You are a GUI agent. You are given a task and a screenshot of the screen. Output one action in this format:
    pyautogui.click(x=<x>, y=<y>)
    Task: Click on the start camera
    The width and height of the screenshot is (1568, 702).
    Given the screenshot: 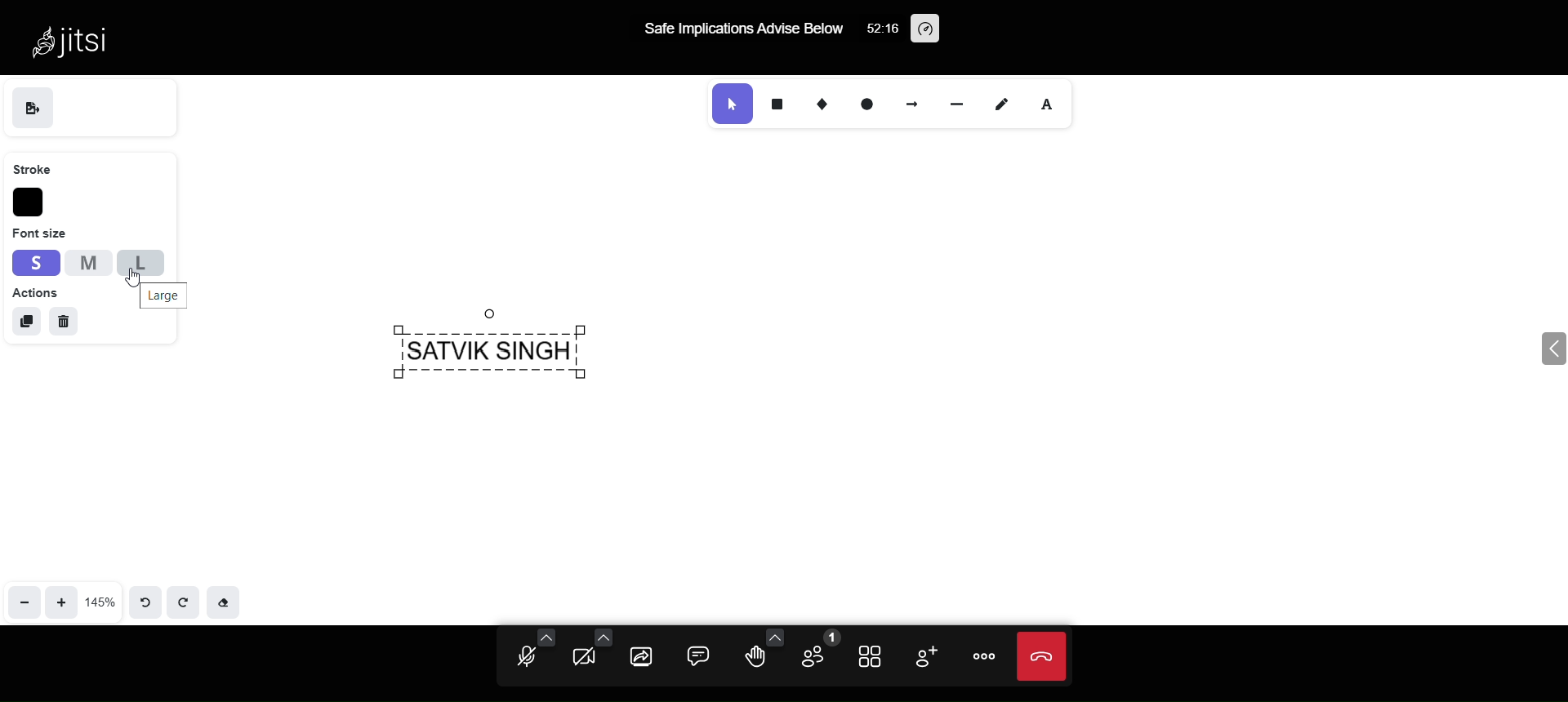 What is the action you would take?
    pyautogui.click(x=588, y=659)
    